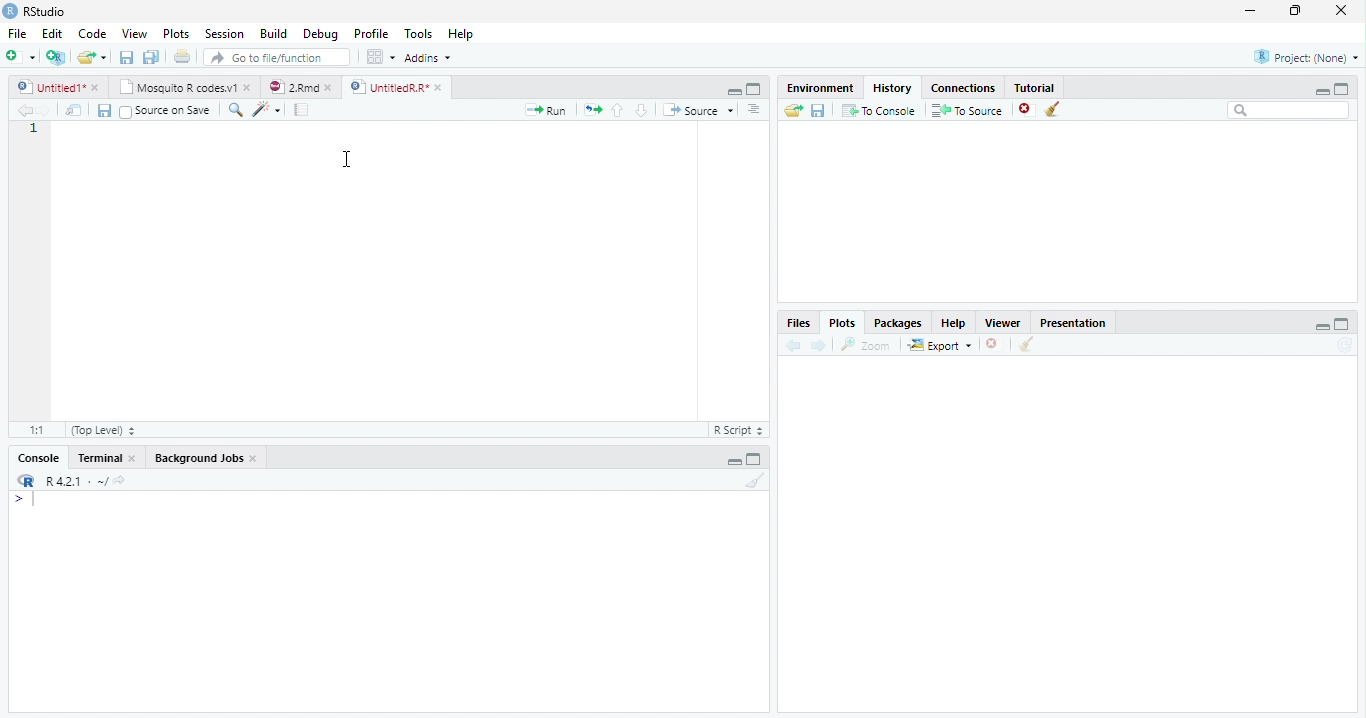 Image resolution: width=1366 pixels, height=718 pixels. Describe the element at coordinates (379, 56) in the screenshot. I see `Workplace panes` at that location.